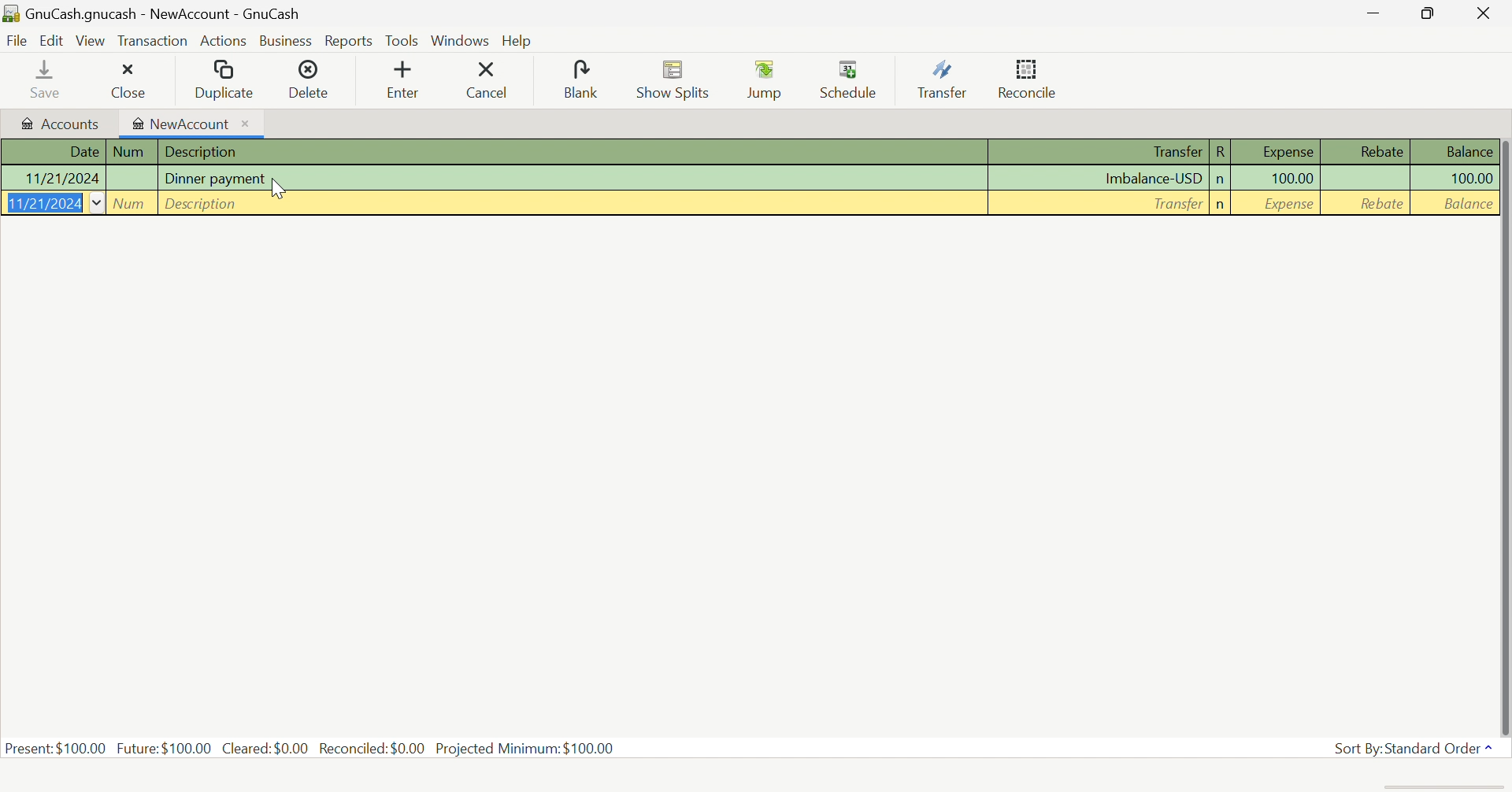 The width and height of the screenshot is (1512, 792). Describe the element at coordinates (1463, 178) in the screenshot. I see `100.00` at that location.